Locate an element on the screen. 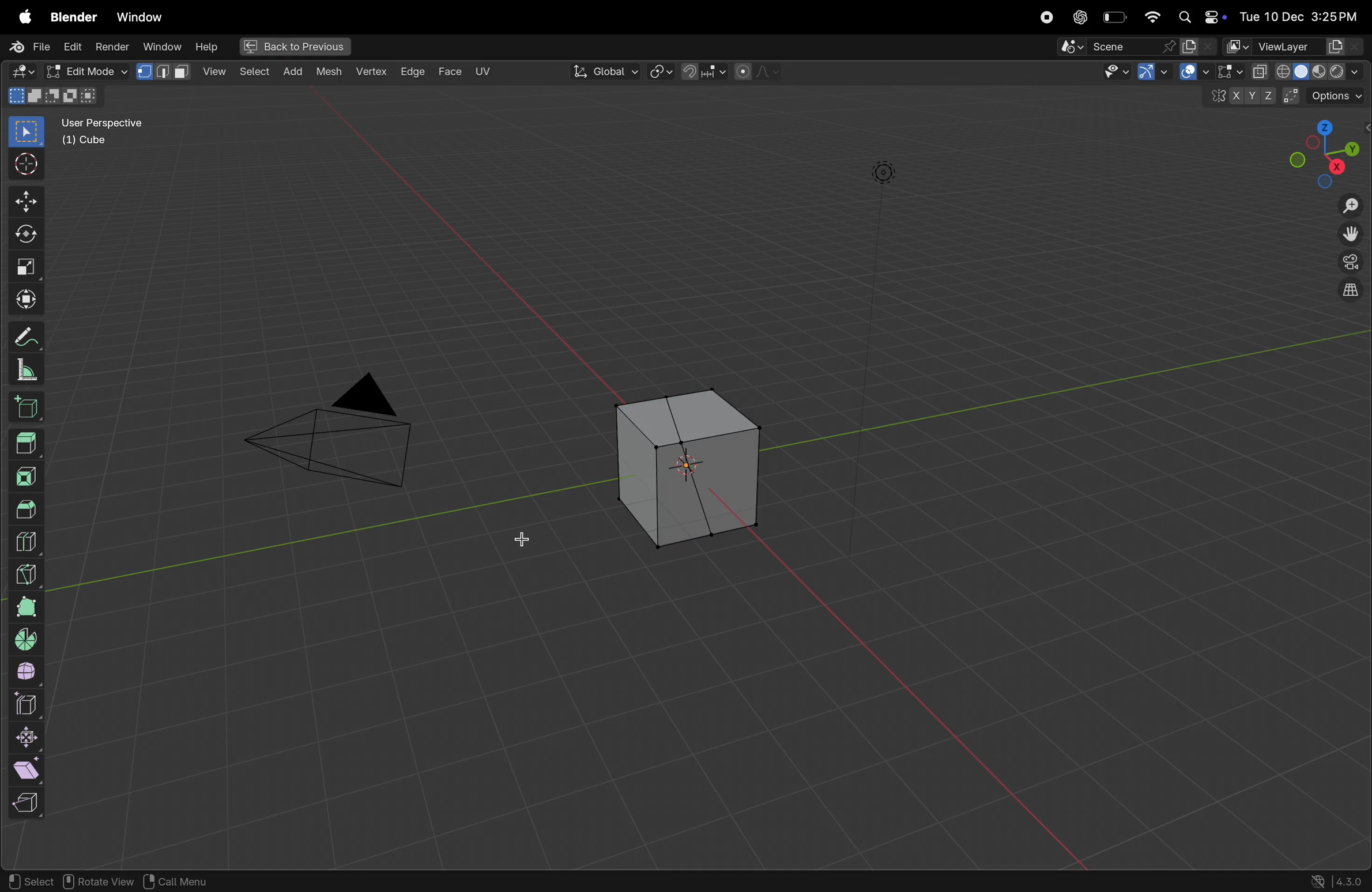  Bevel  is located at coordinates (27, 508).